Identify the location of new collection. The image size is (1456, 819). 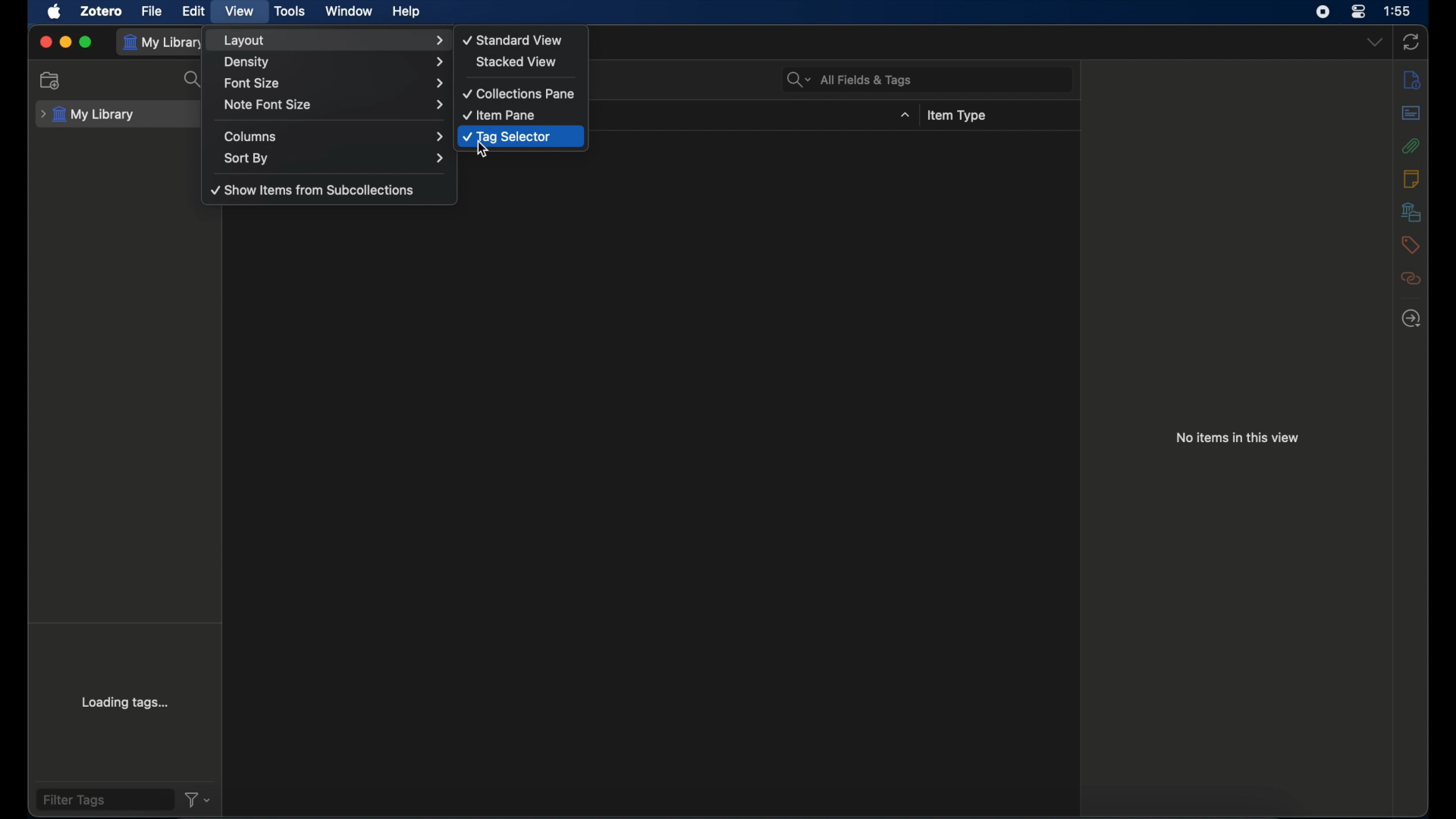
(52, 81).